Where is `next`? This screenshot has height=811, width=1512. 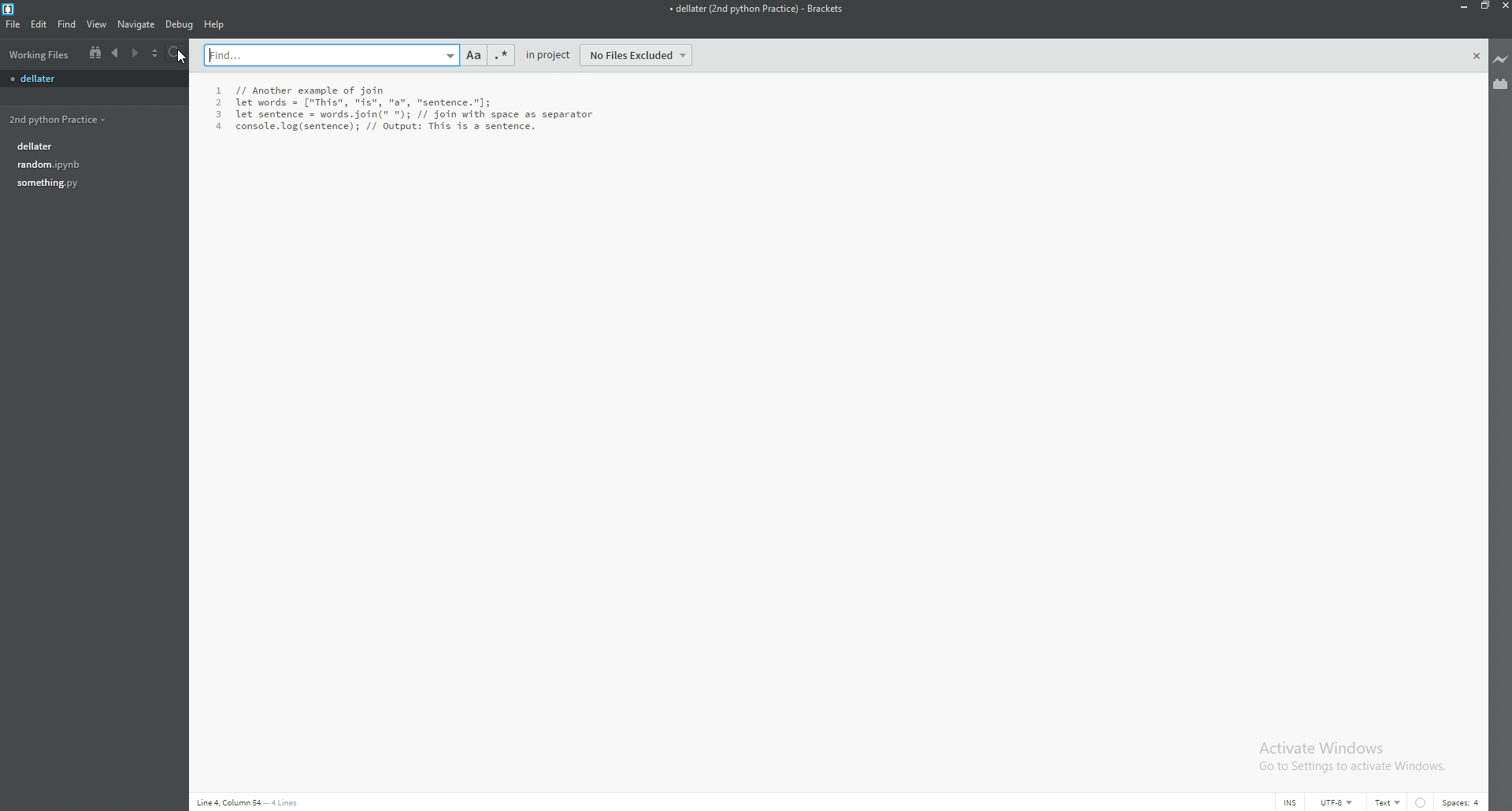 next is located at coordinates (135, 54).